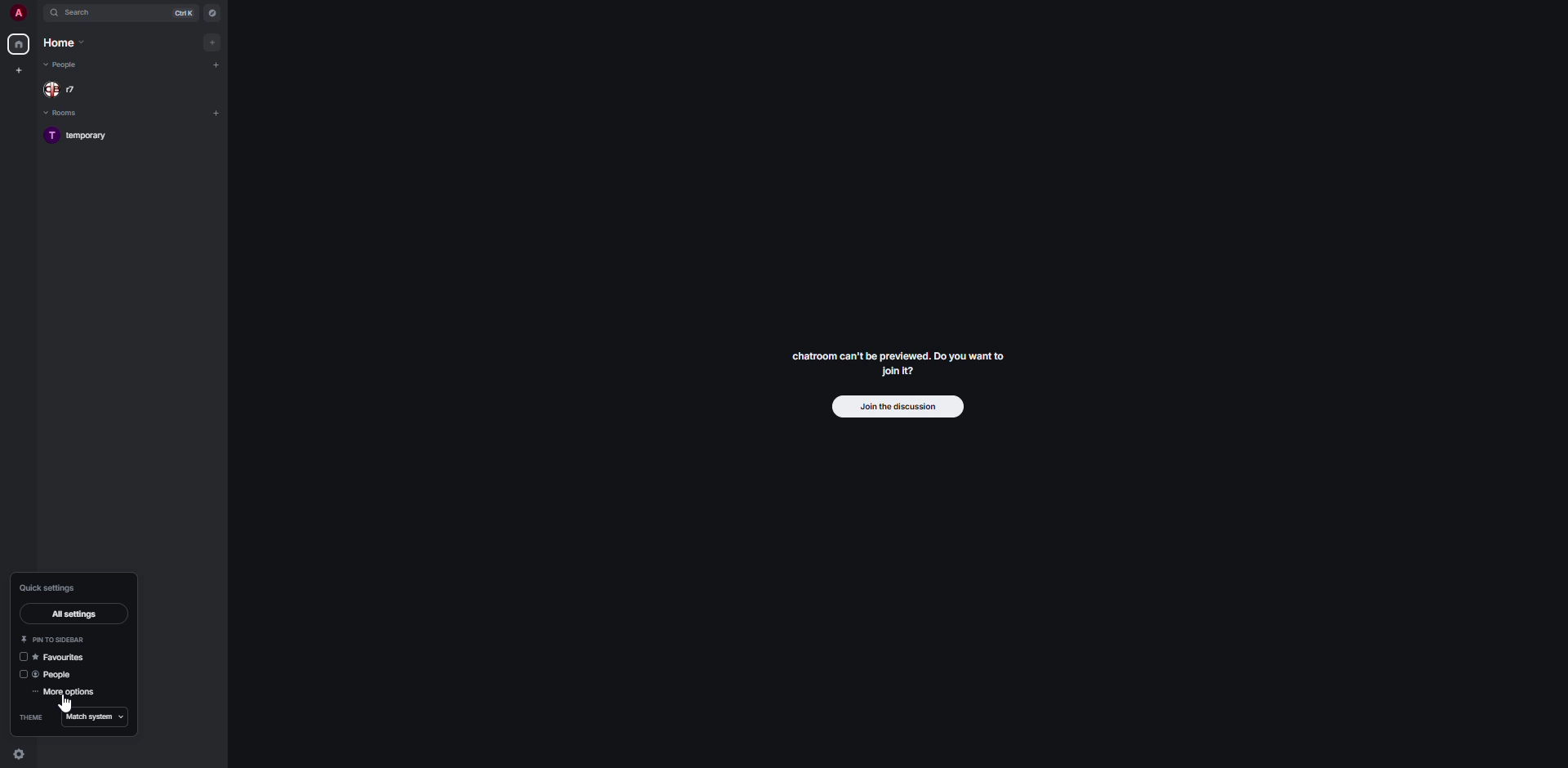 This screenshot has width=1568, height=768. What do you see at coordinates (212, 12) in the screenshot?
I see `navigator` at bounding box center [212, 12].